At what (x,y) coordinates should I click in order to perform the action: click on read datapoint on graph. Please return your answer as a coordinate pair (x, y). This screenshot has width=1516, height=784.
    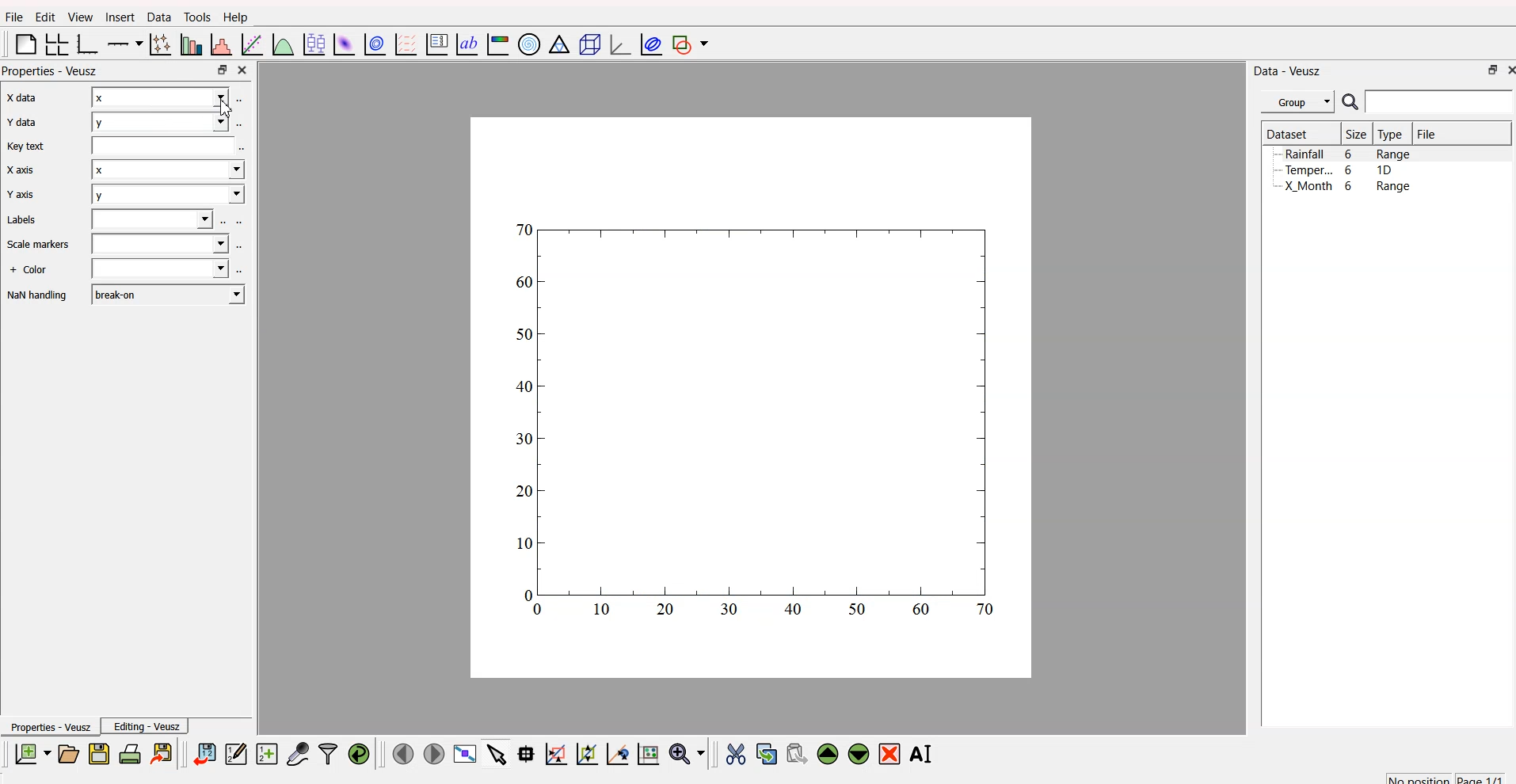
    Looking at the image, I should click on (524, 753).